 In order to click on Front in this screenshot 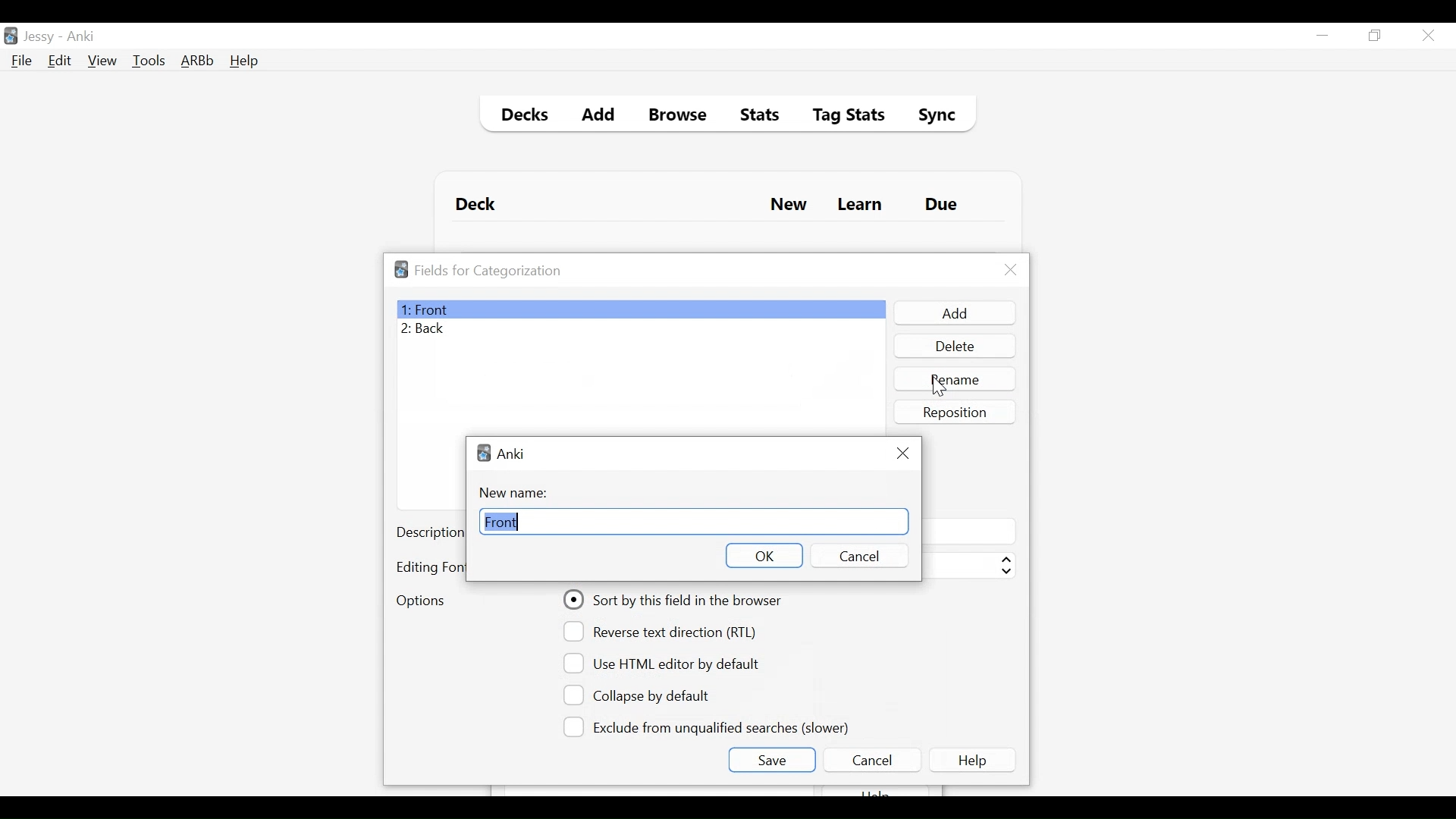, I will do `click(640, 309)`.